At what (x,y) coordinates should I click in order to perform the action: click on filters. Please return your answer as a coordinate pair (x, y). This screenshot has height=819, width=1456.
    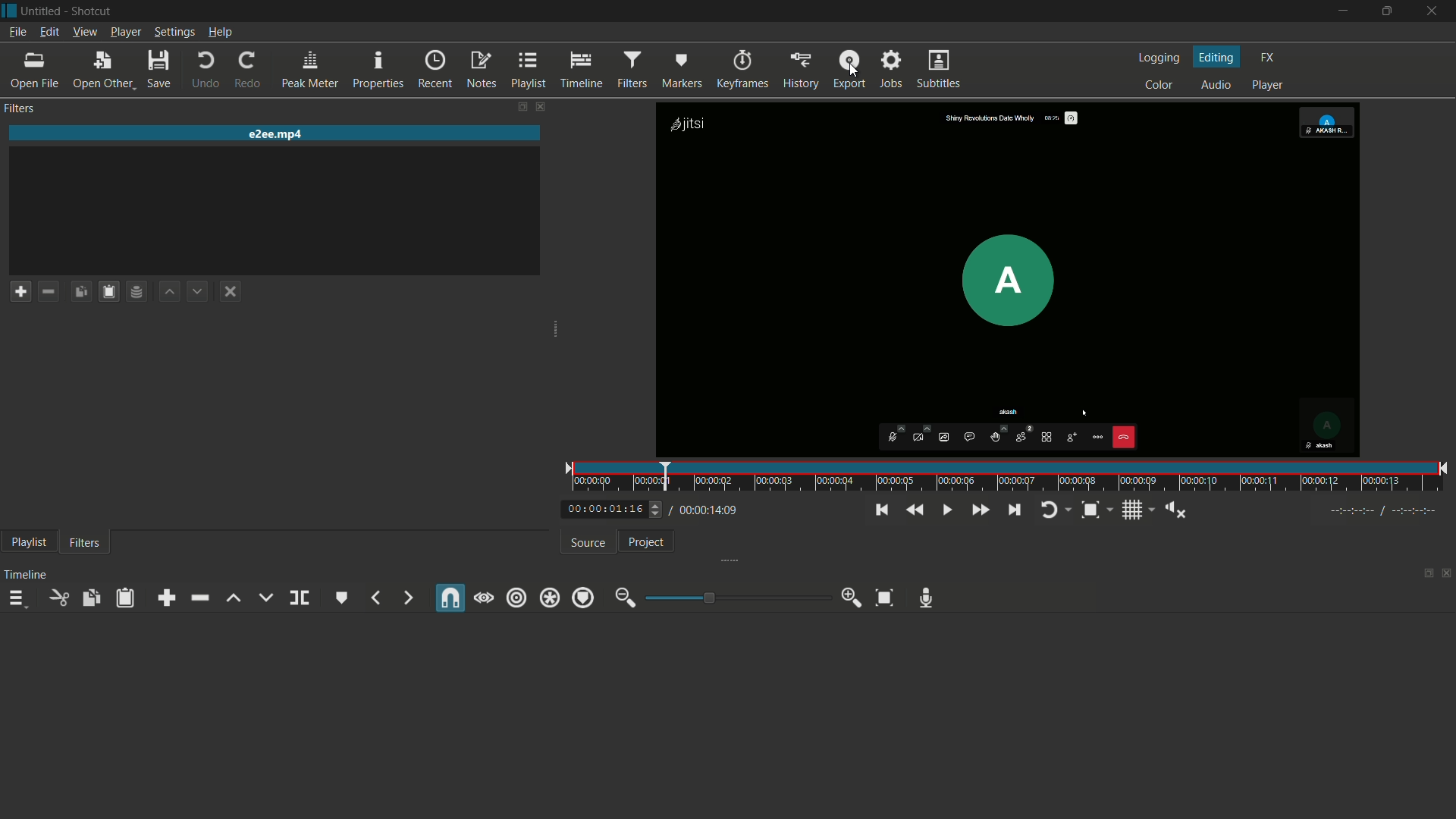
    Looking at the image, I should click on (630, 71).